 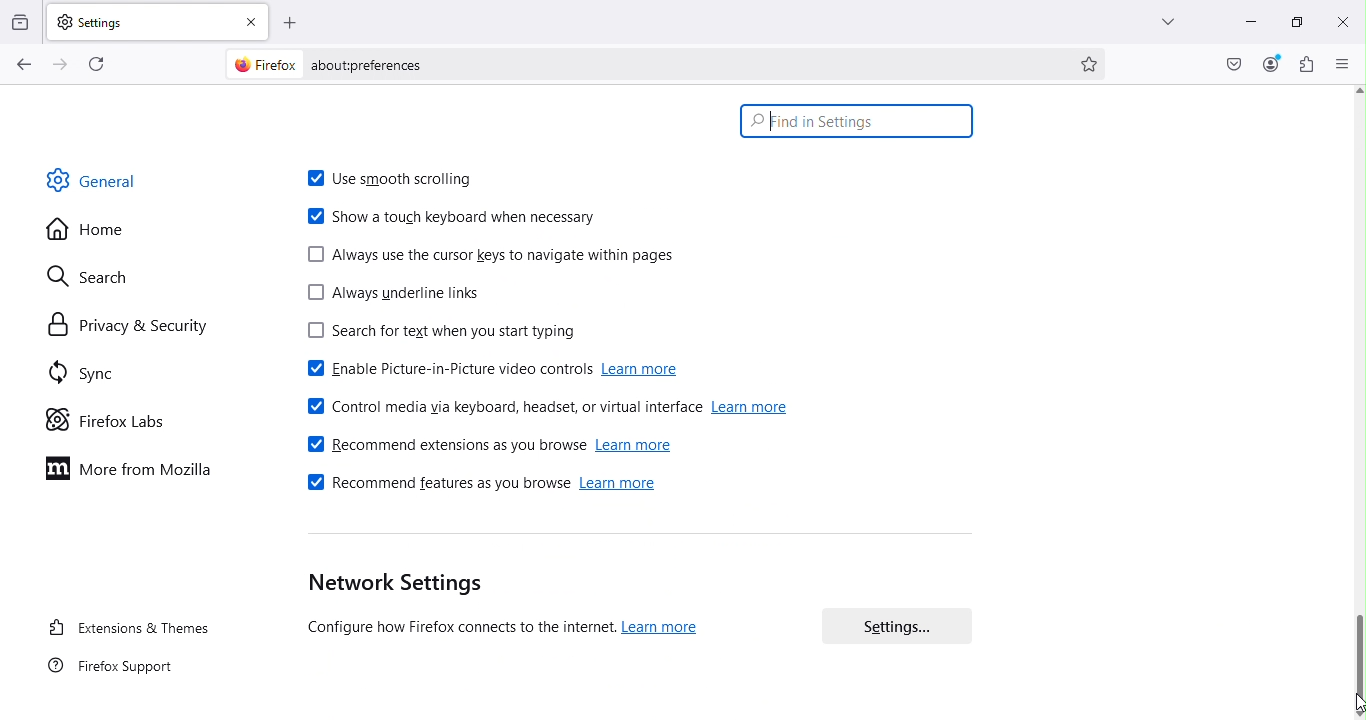 I want to click on Extensions, so click(x=1304, y=65).